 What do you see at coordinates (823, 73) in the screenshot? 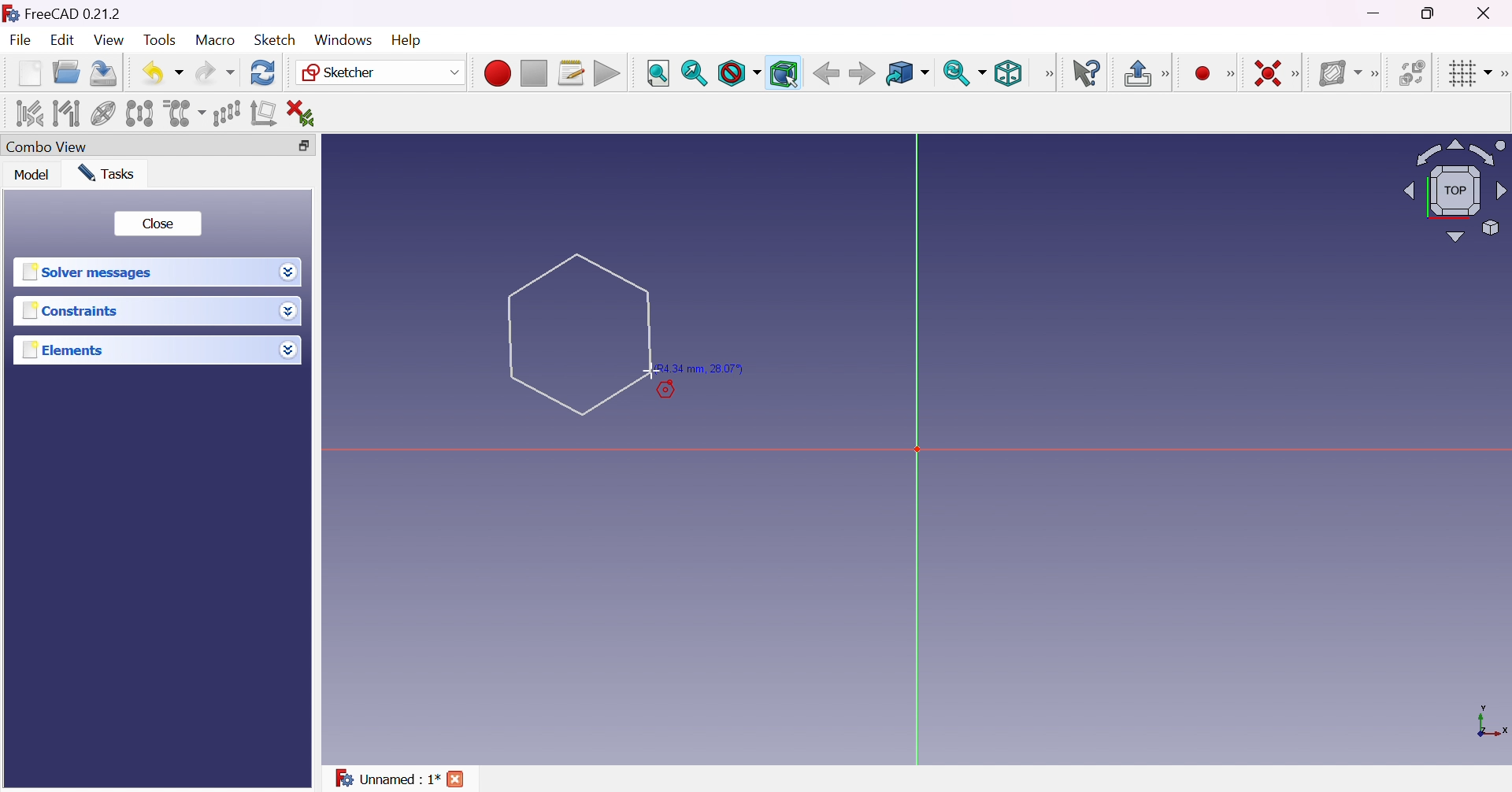
I see `Back` at bounding box center [823, 73].